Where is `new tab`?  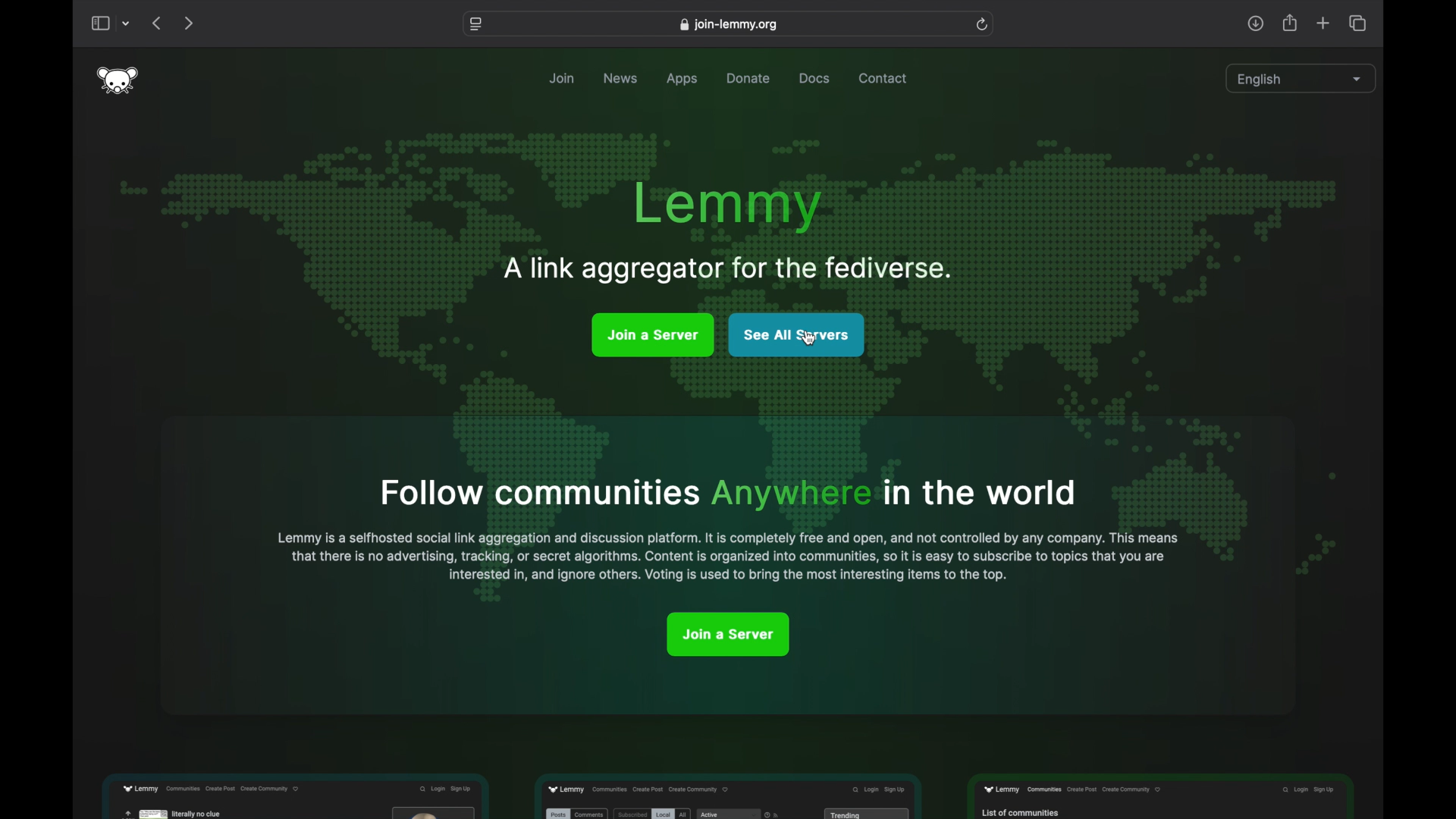
new tab is located at coordinates (1323, 24).